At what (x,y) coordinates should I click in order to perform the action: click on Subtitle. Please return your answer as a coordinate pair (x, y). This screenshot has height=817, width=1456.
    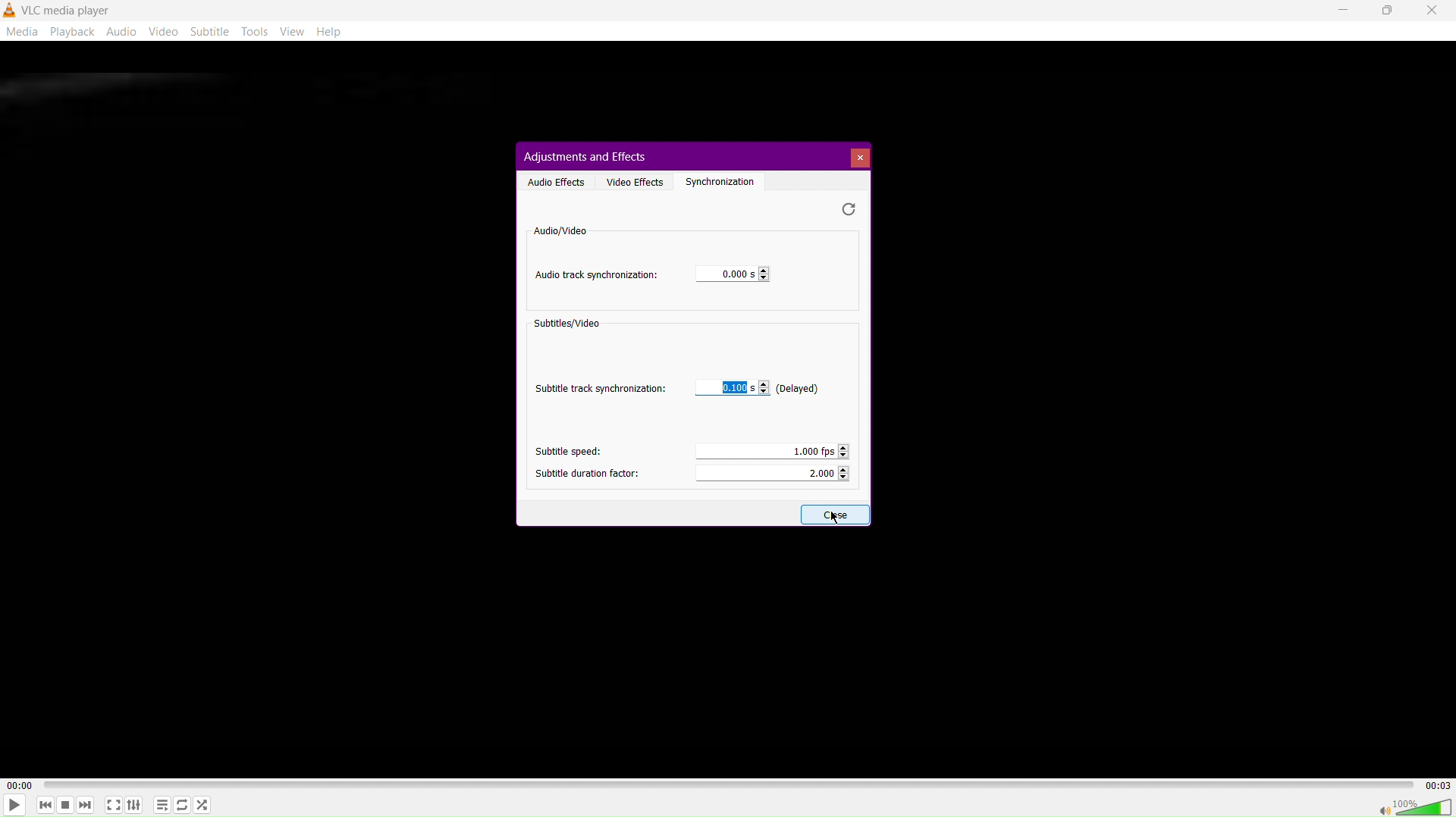
    Looking at the image, I should click on (212, 33).